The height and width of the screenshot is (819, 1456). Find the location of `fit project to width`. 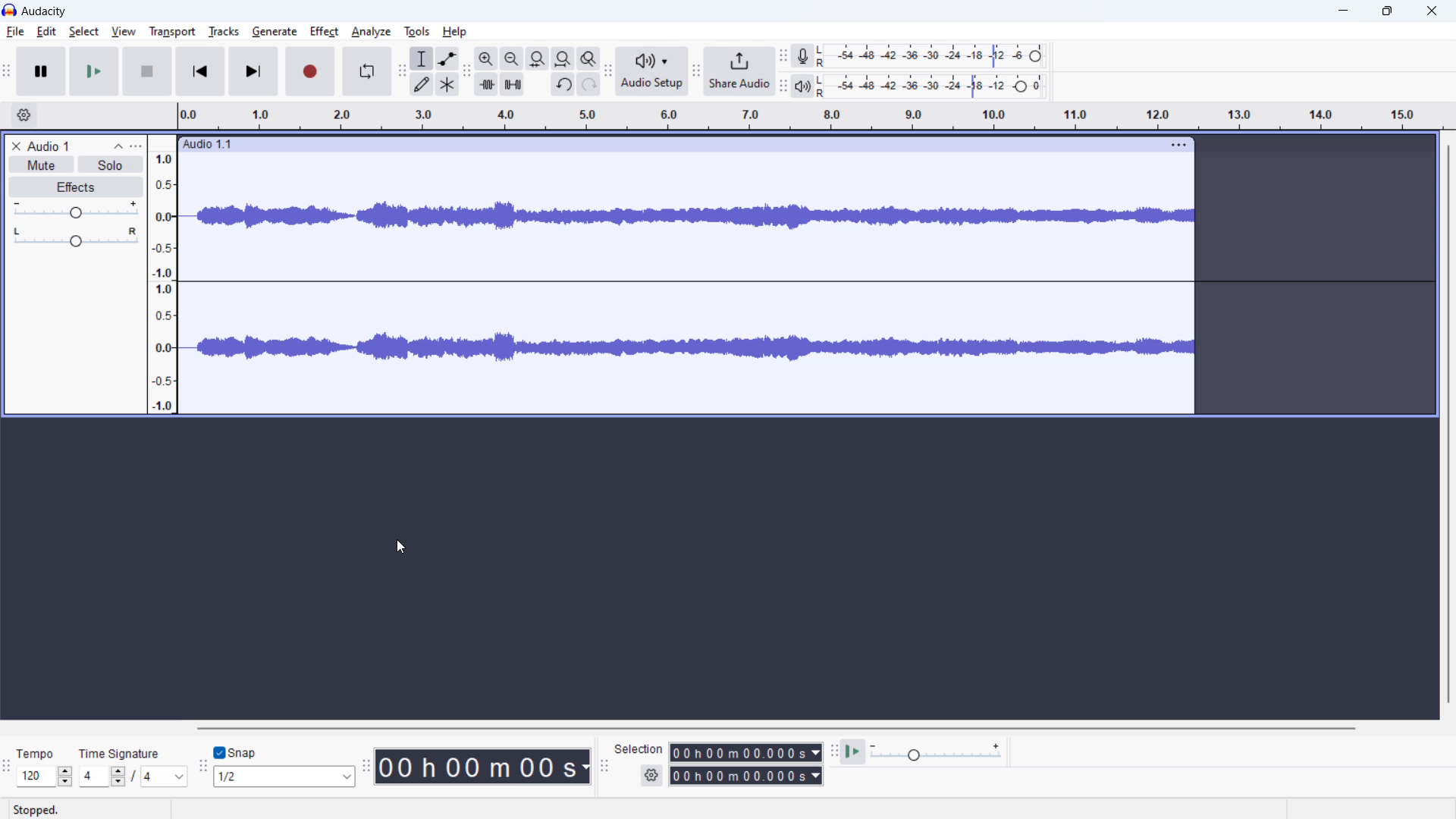

fit project to width is located at coordinates (563, 58).